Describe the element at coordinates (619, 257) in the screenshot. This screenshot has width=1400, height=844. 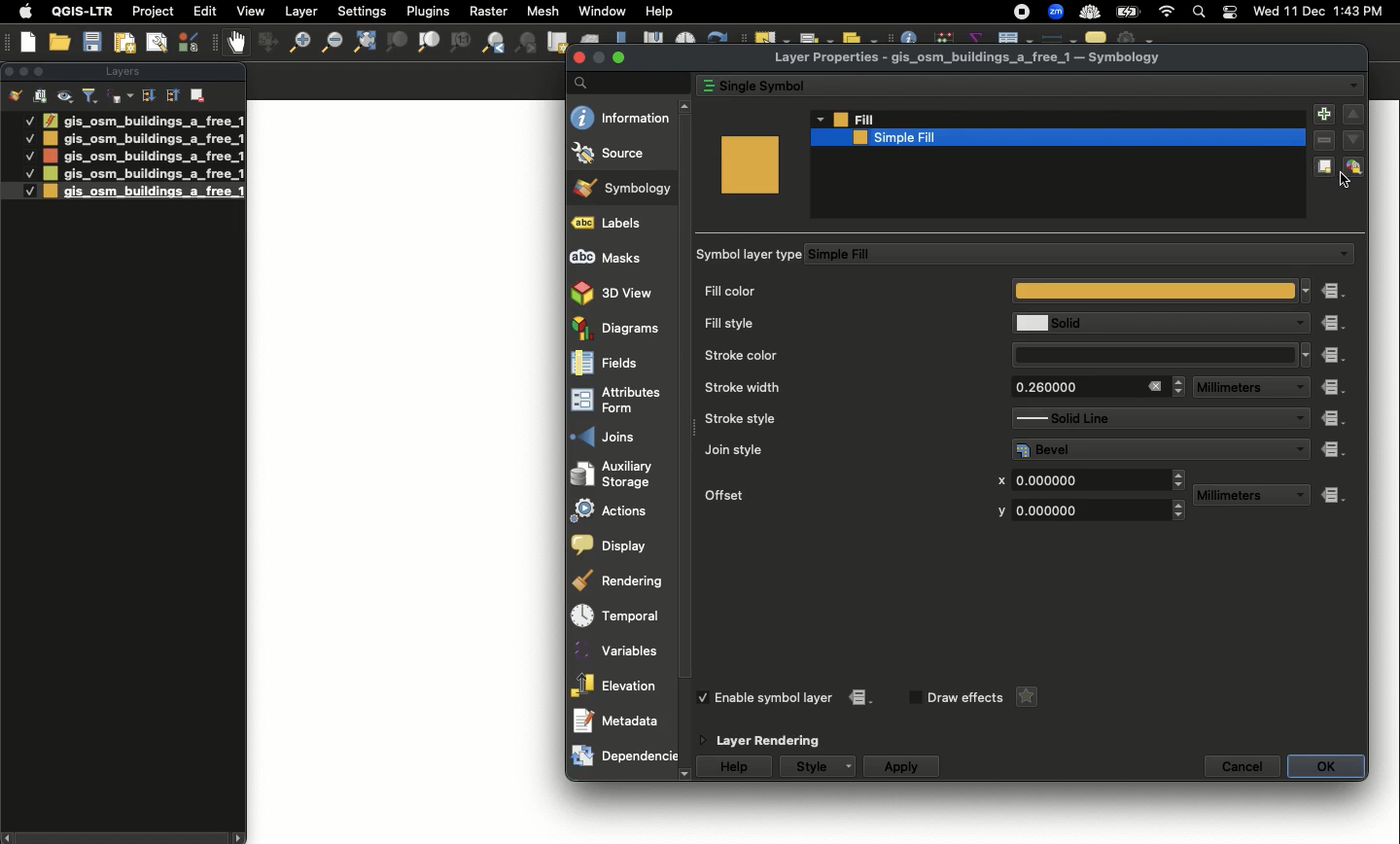
I see `Masks` at that location.